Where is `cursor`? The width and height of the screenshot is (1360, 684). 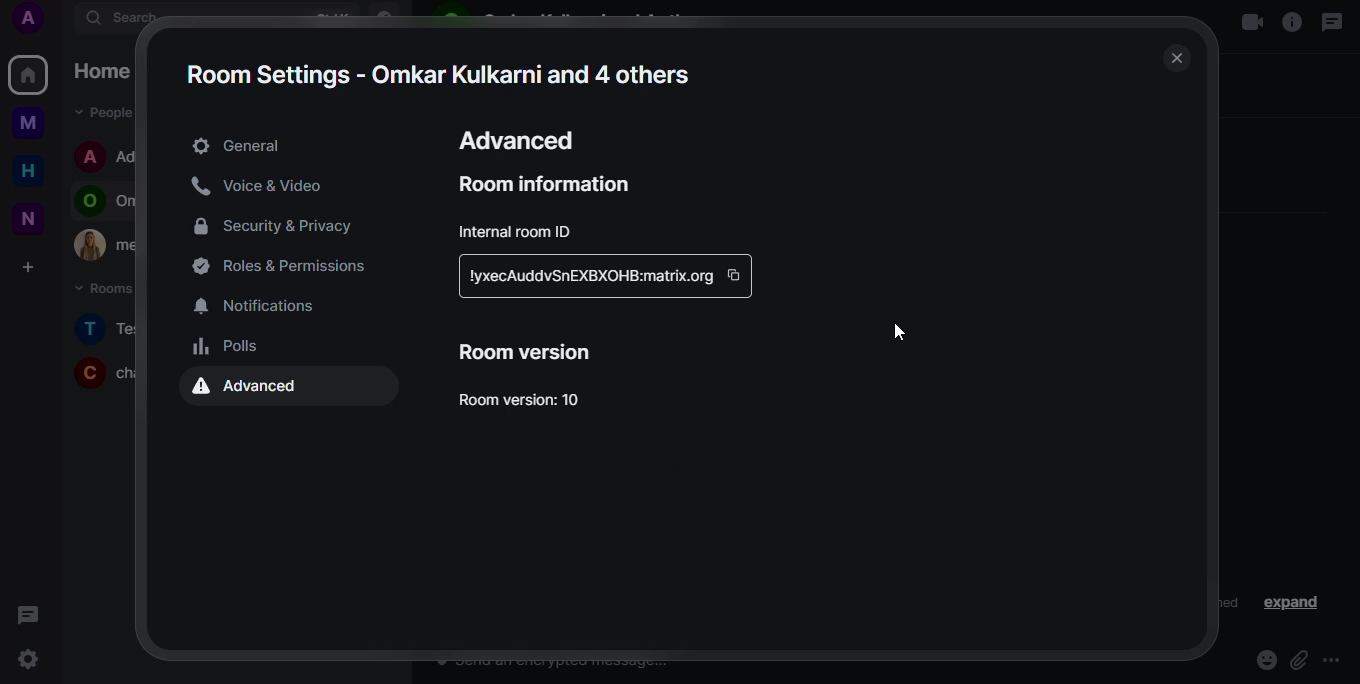 cursor is located at coordinates (890, 331).